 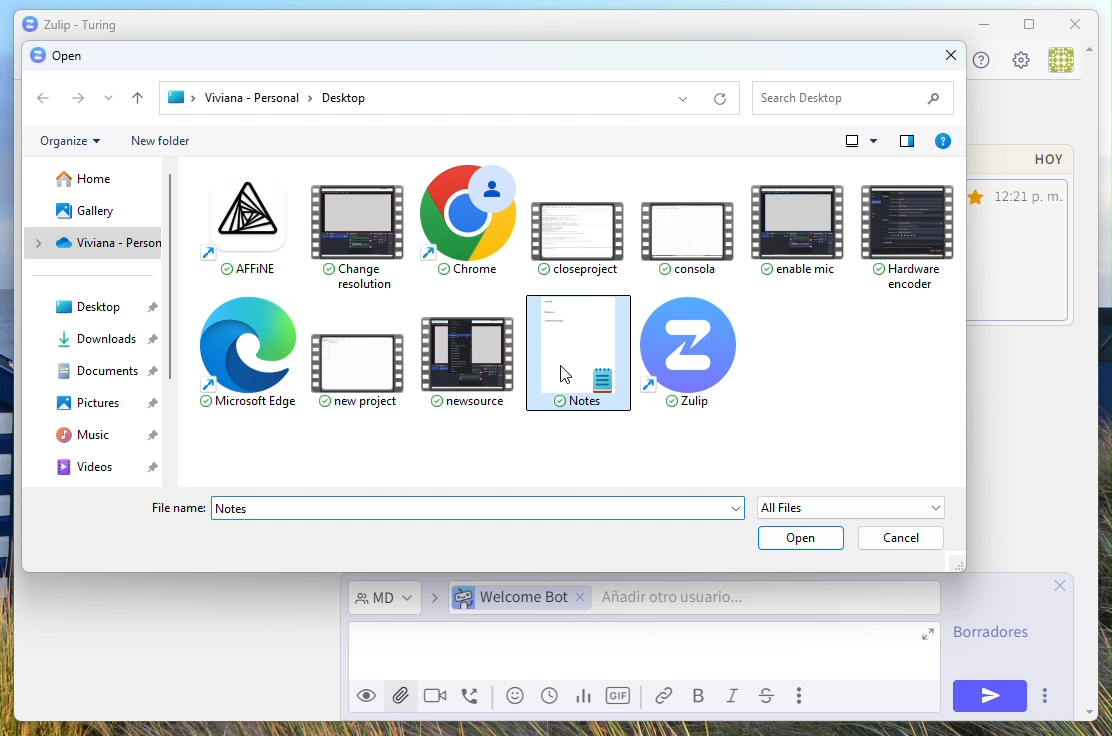 I want to click on change resolution, so click(x=356, y=233).